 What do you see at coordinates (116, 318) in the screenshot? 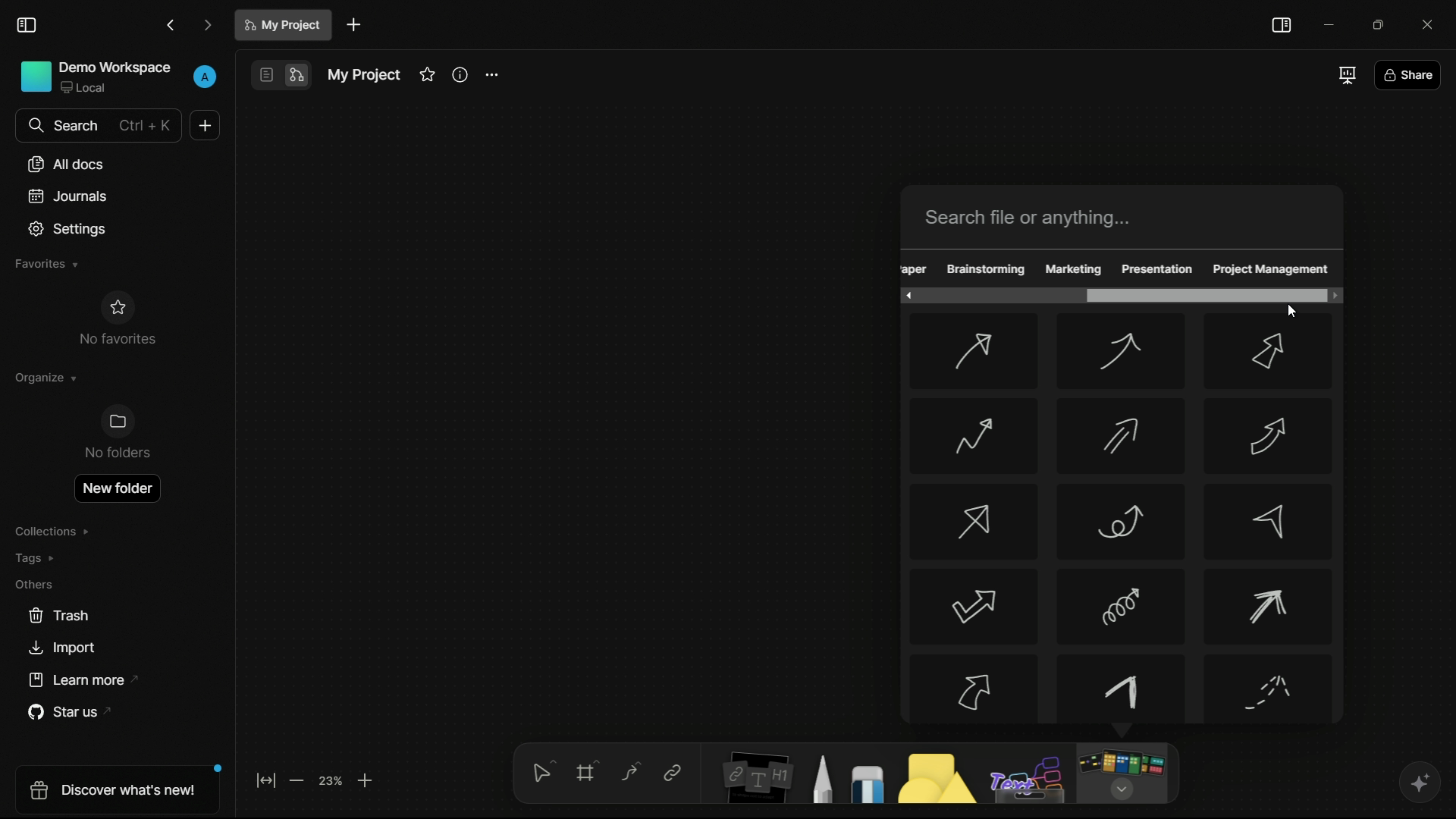
I see `no favorites` at bounding box center [116, 318].